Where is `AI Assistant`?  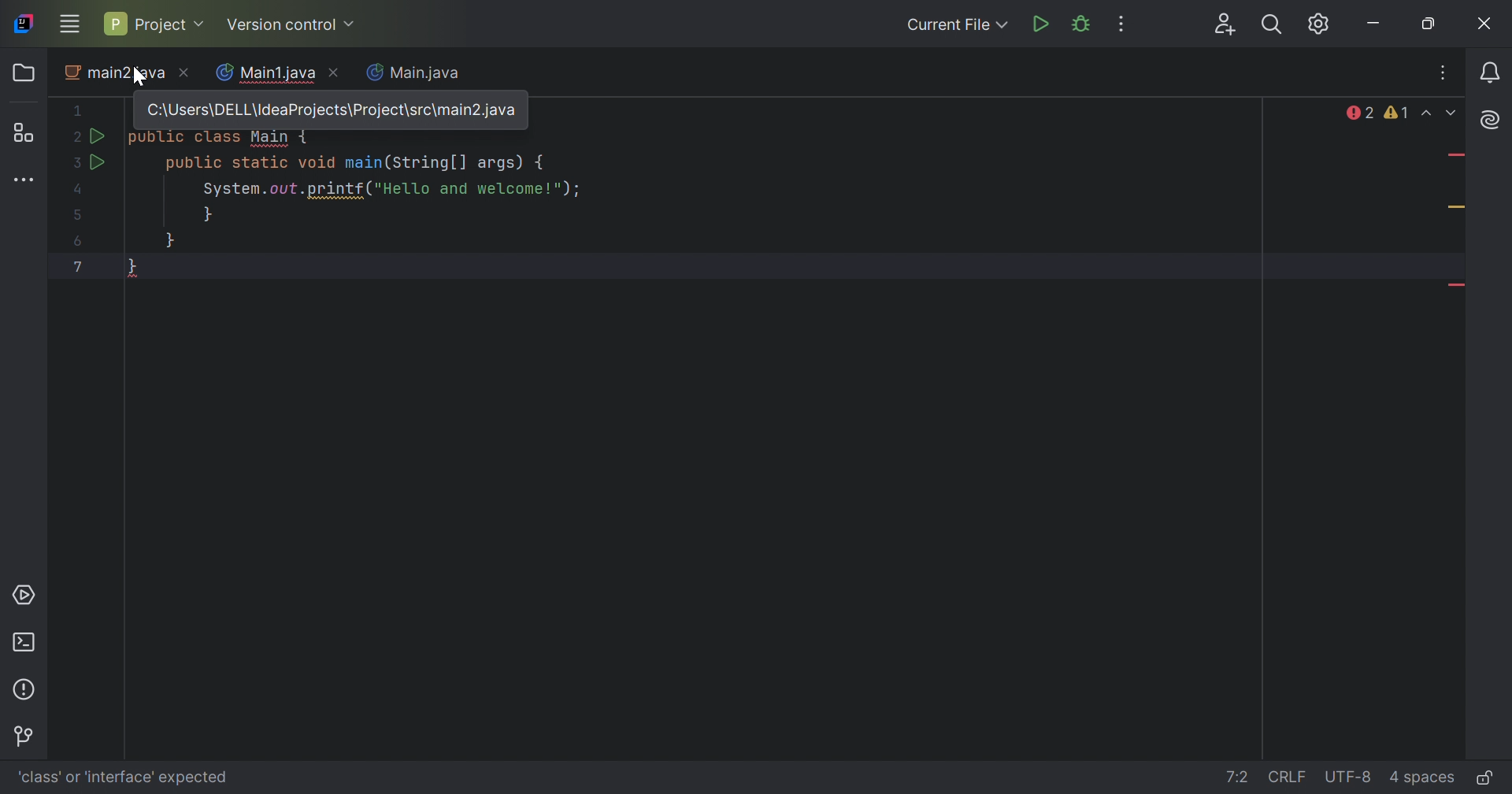 AI Assistant is located at coordinates (1488, 121).